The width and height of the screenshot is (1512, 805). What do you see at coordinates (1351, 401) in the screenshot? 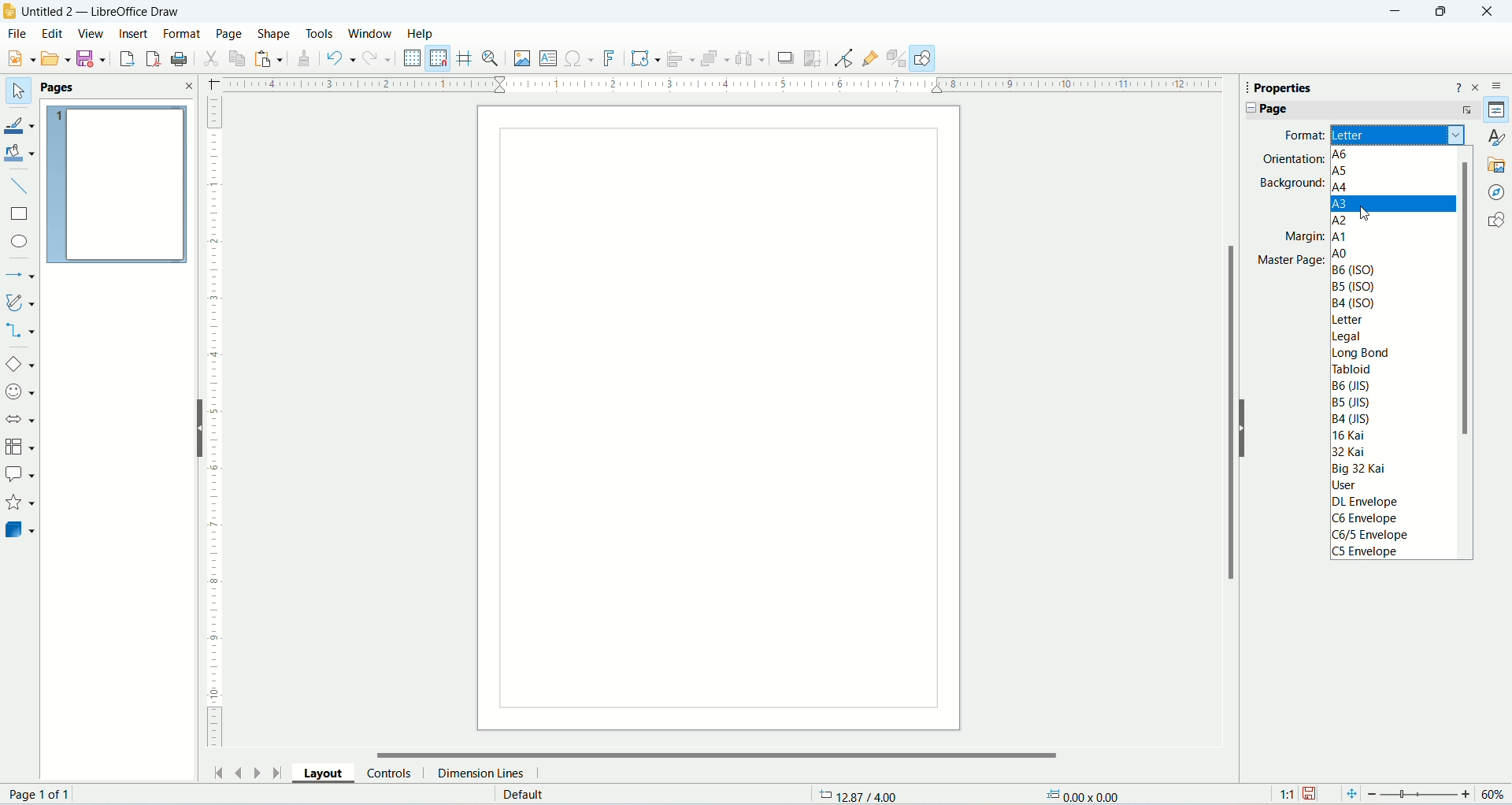
I see `b5` at bounding box center [1351, 401].